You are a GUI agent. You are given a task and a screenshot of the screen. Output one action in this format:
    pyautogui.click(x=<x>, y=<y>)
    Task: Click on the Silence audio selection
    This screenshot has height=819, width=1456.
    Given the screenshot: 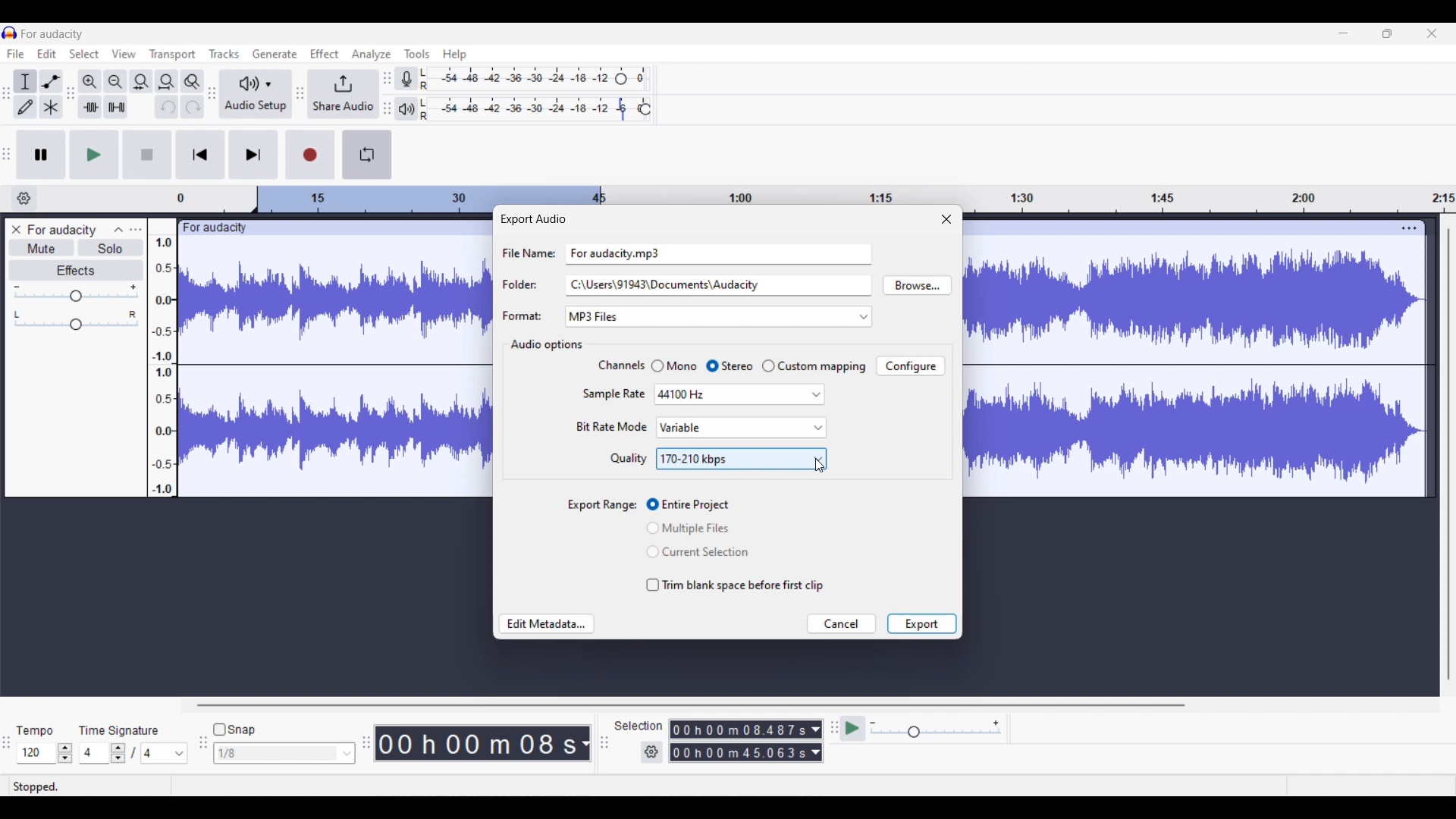 What is the action you would take?
    pyautogui.click(x=117, y=107)
    